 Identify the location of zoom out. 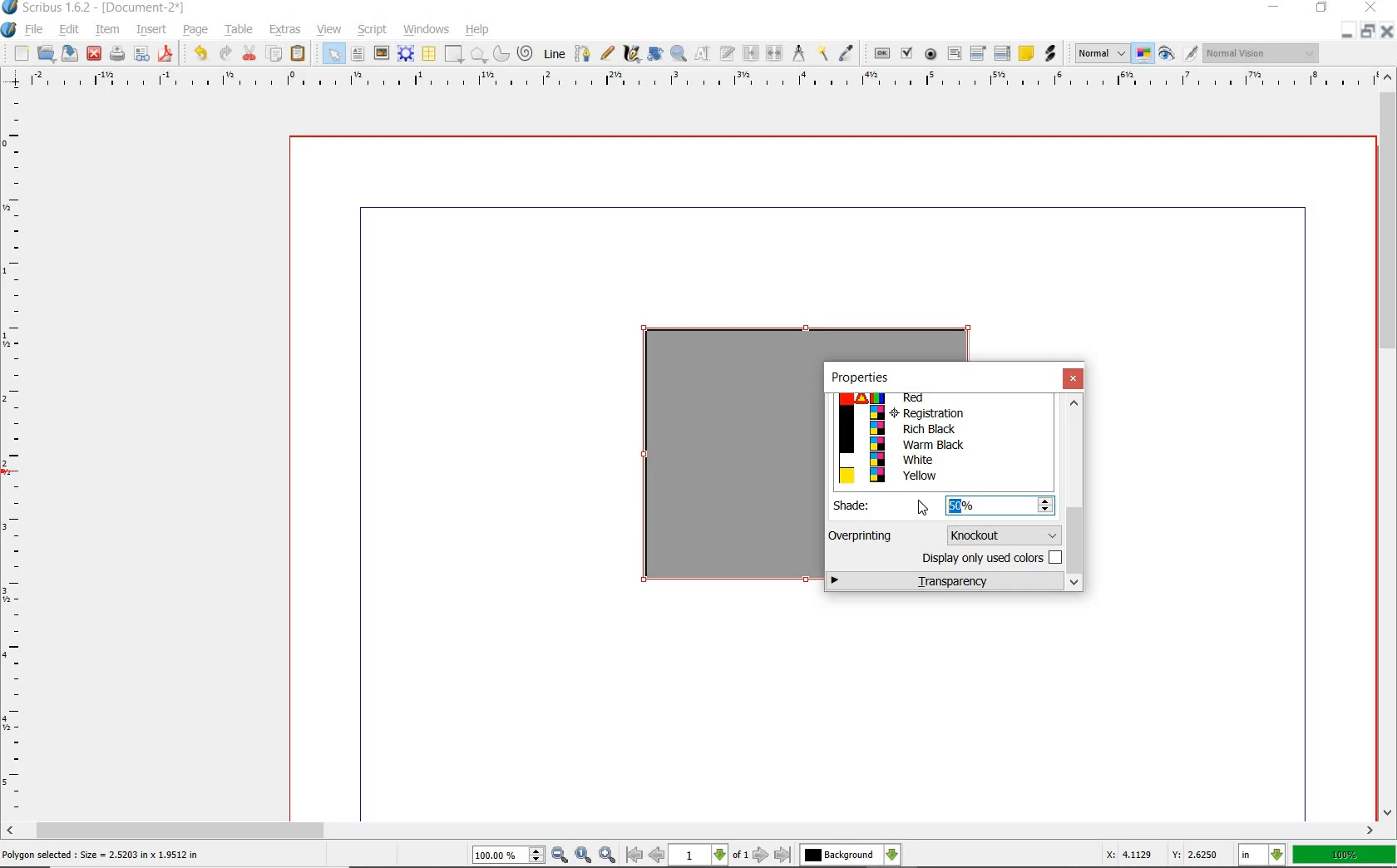
(560, 855).